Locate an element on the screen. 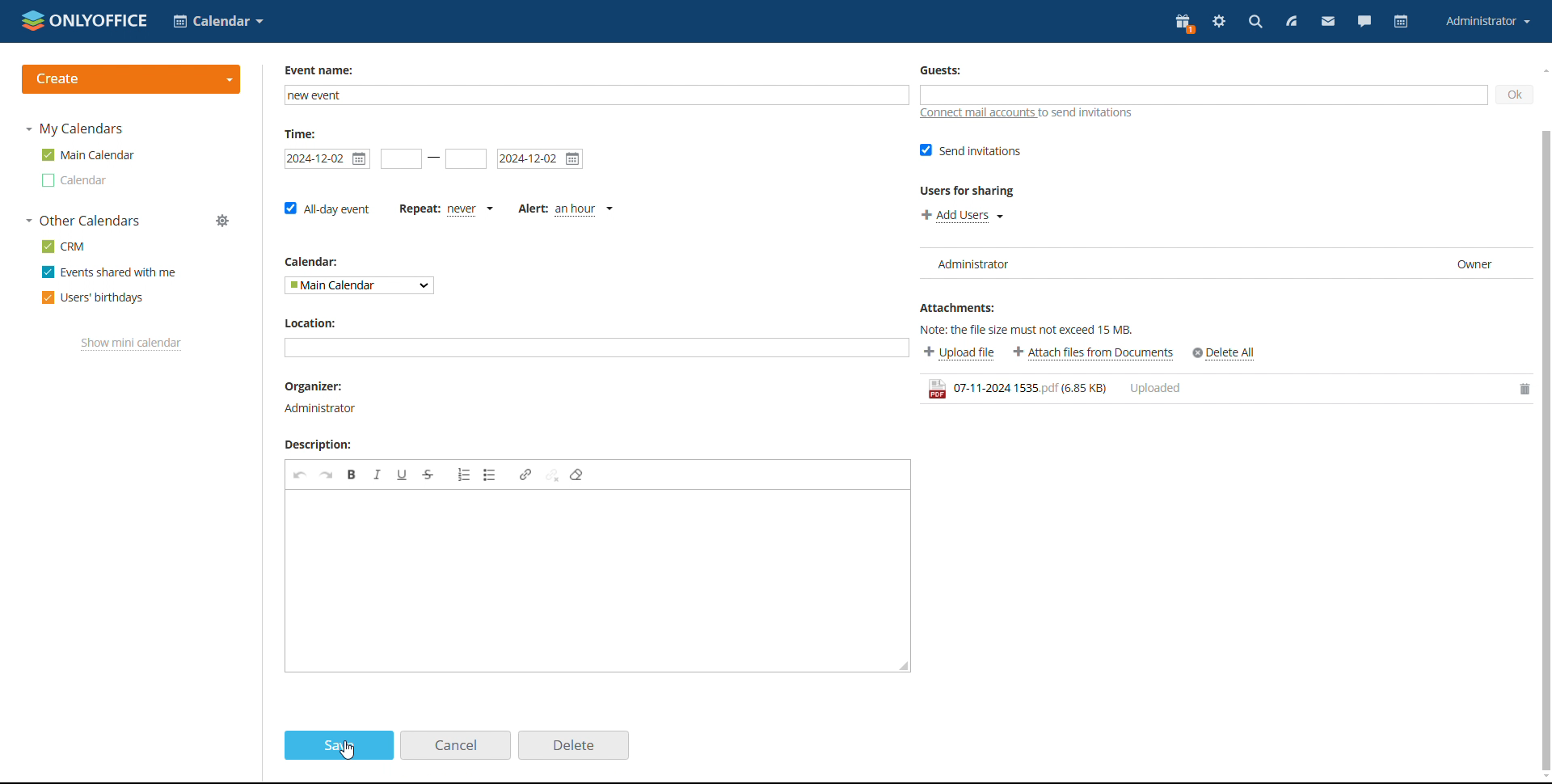  users for sharing is located at coordinates (969, 191).